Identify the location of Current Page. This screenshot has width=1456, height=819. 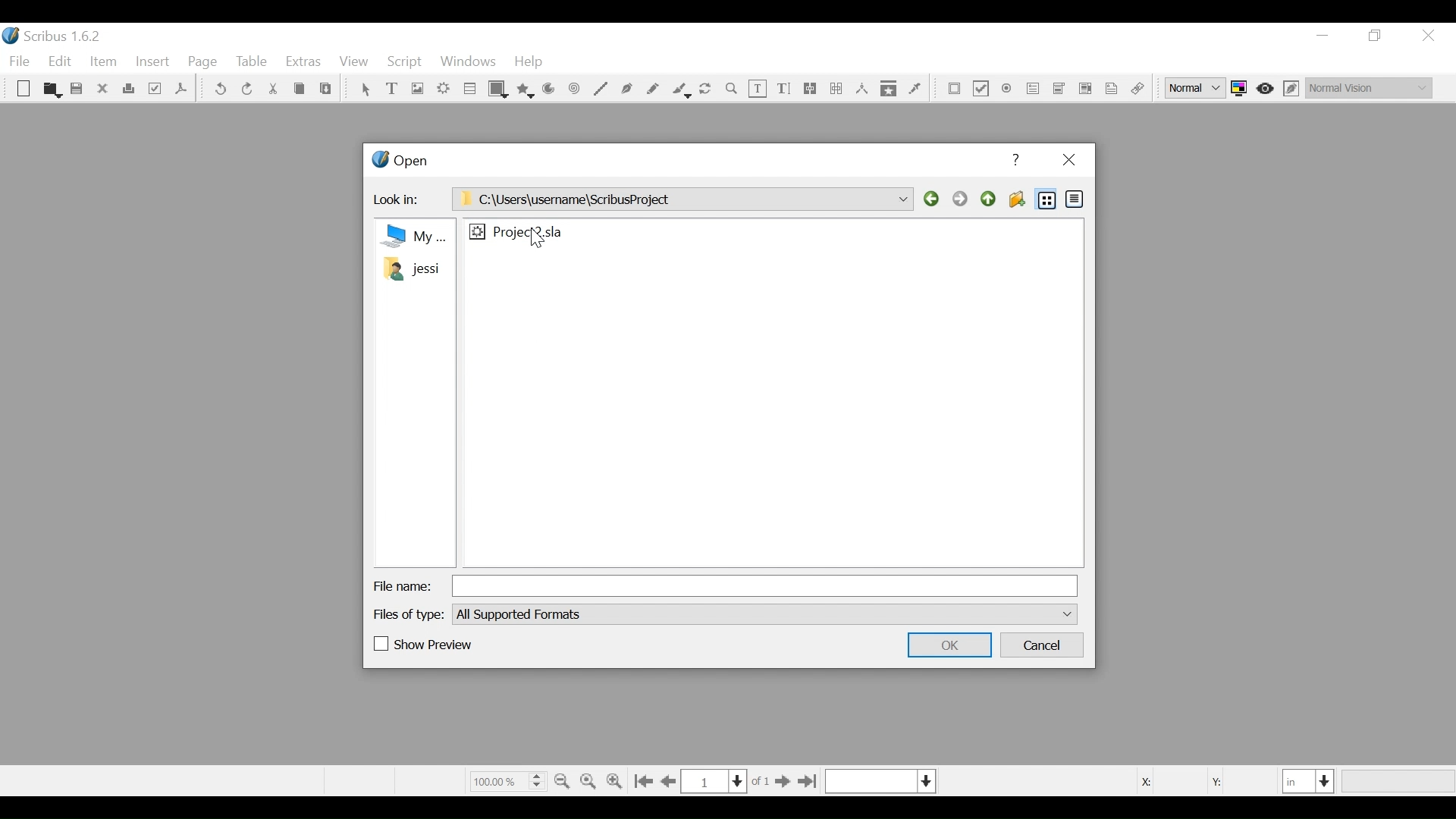
(714, 781).